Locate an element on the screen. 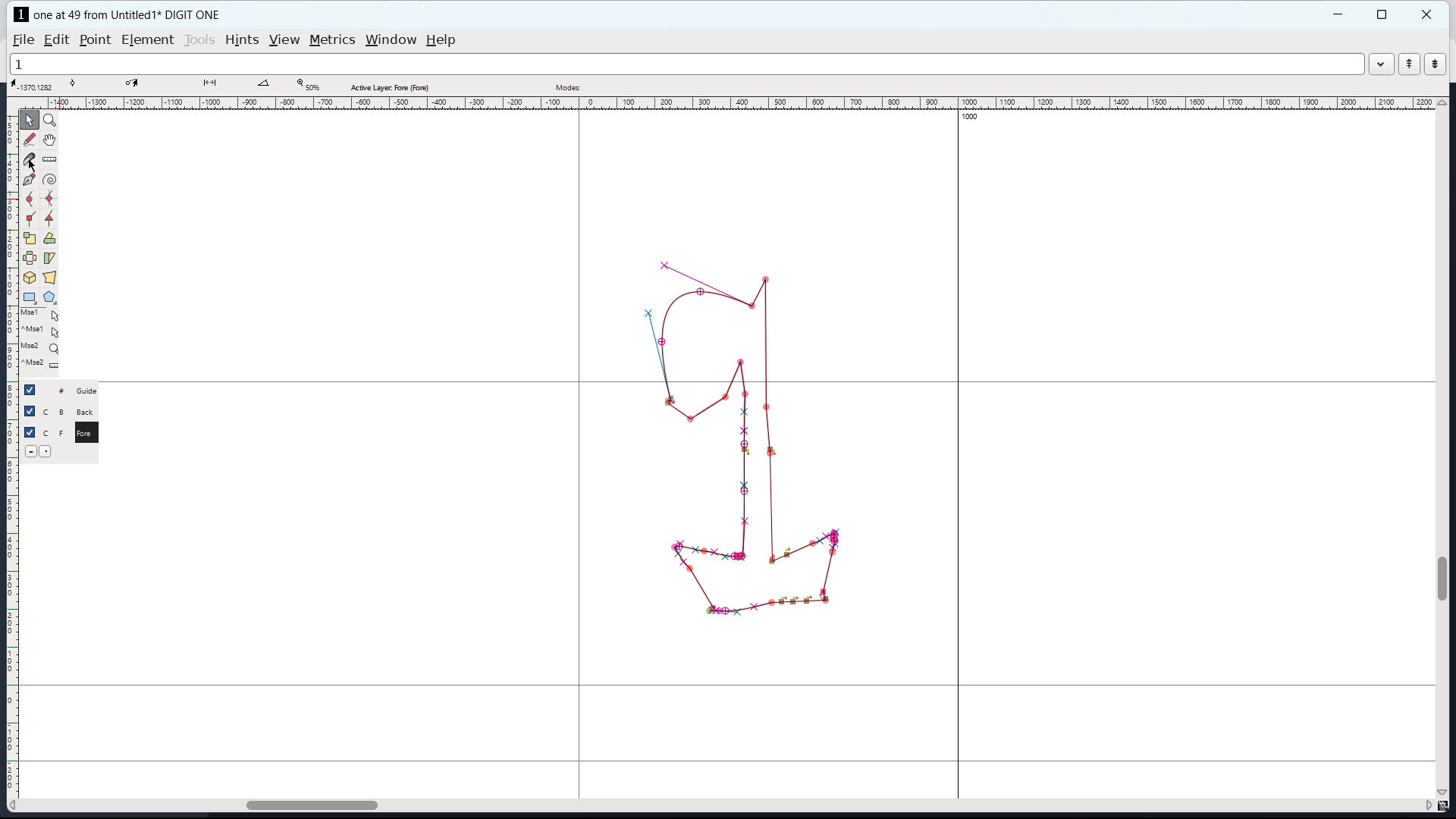 Image resolution: width=1456 pixels, height=819 pixels. polygon or star is located at coordinates (49, 297).